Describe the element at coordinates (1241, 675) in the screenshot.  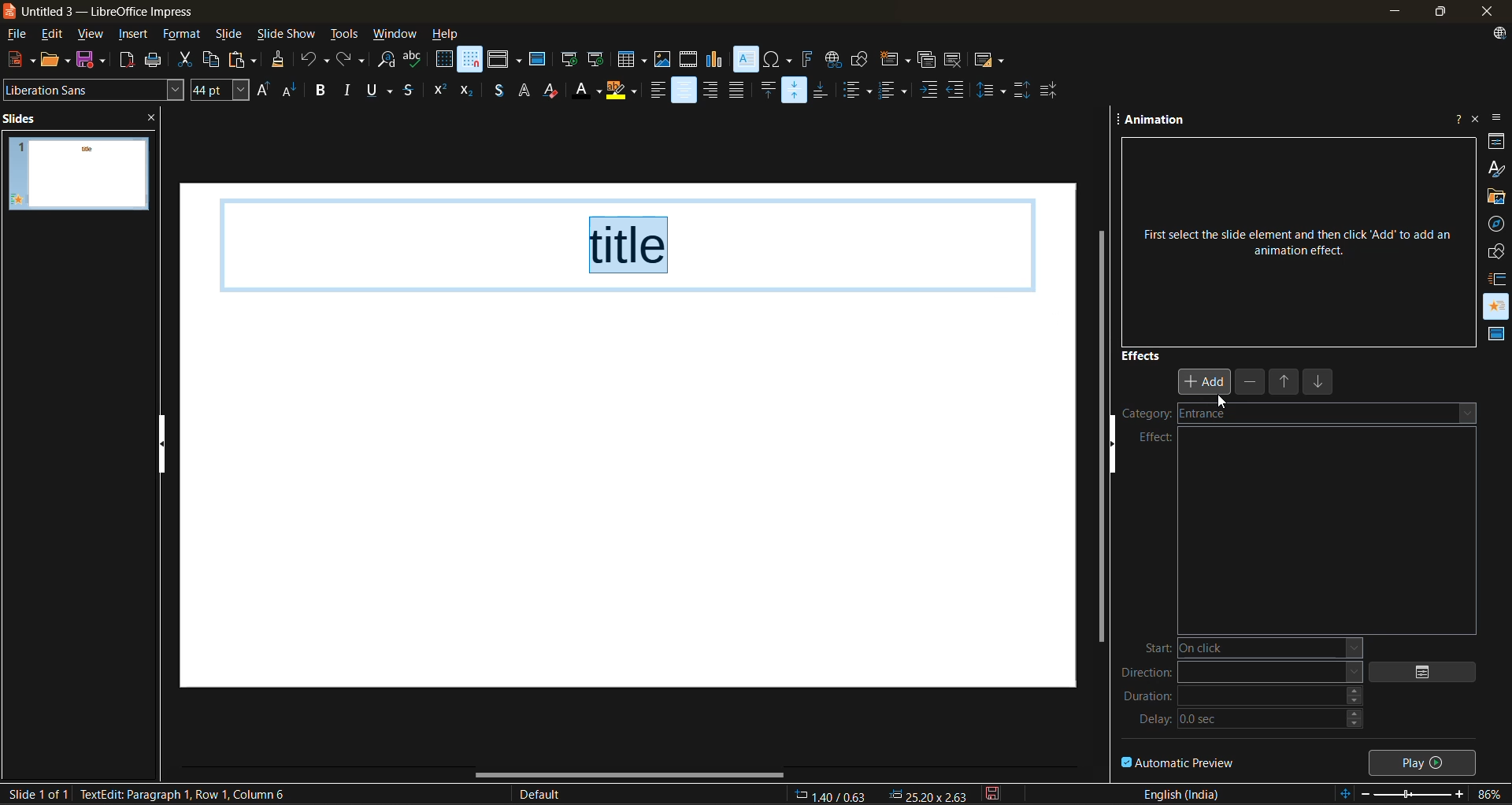
I see `direction` at that location.